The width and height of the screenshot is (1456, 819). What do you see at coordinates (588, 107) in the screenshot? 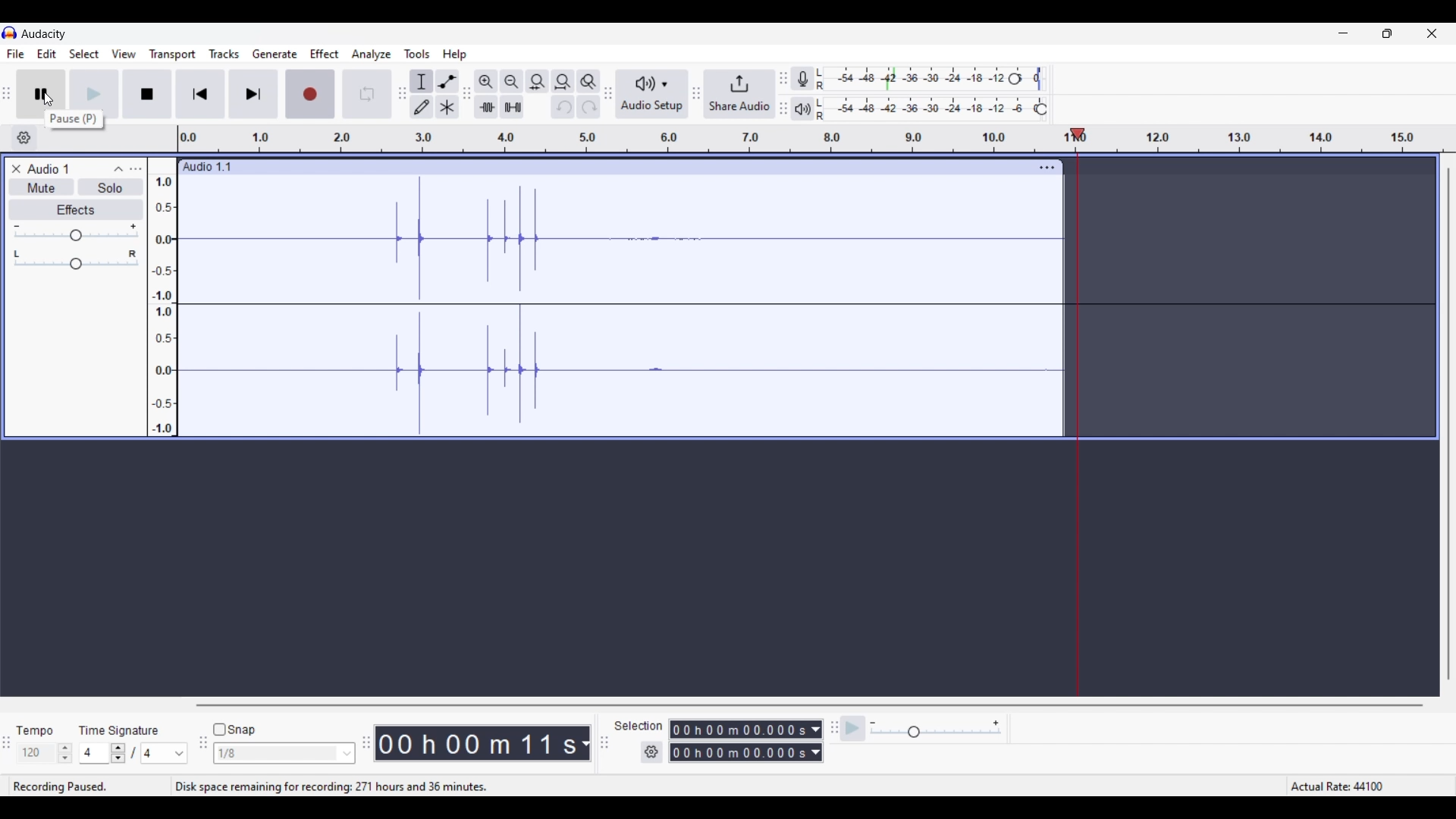
I see `Redo` at bounding box center [588, 107].